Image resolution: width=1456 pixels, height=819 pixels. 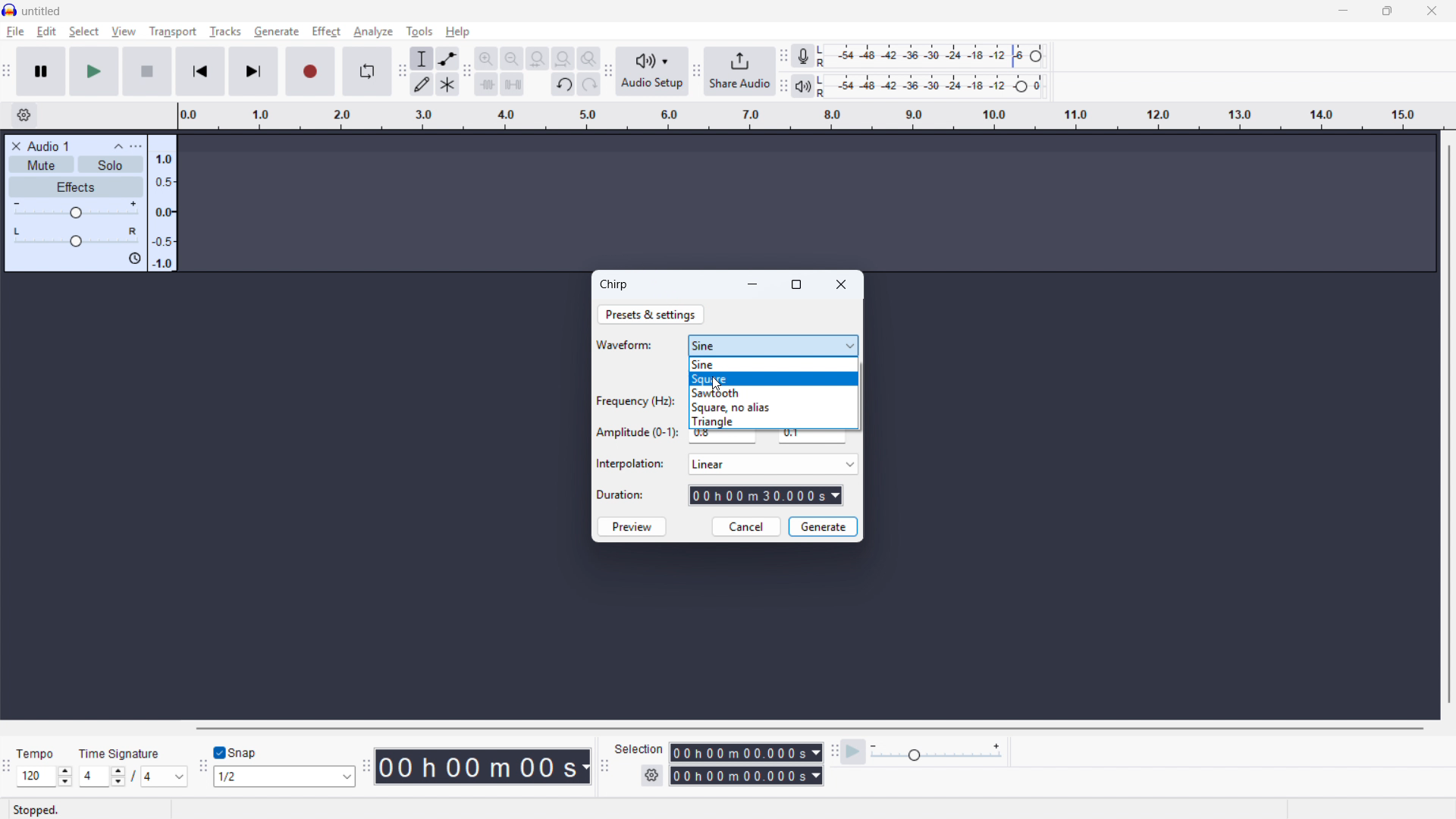 I want to click on Close , so click(x=841, y=284).